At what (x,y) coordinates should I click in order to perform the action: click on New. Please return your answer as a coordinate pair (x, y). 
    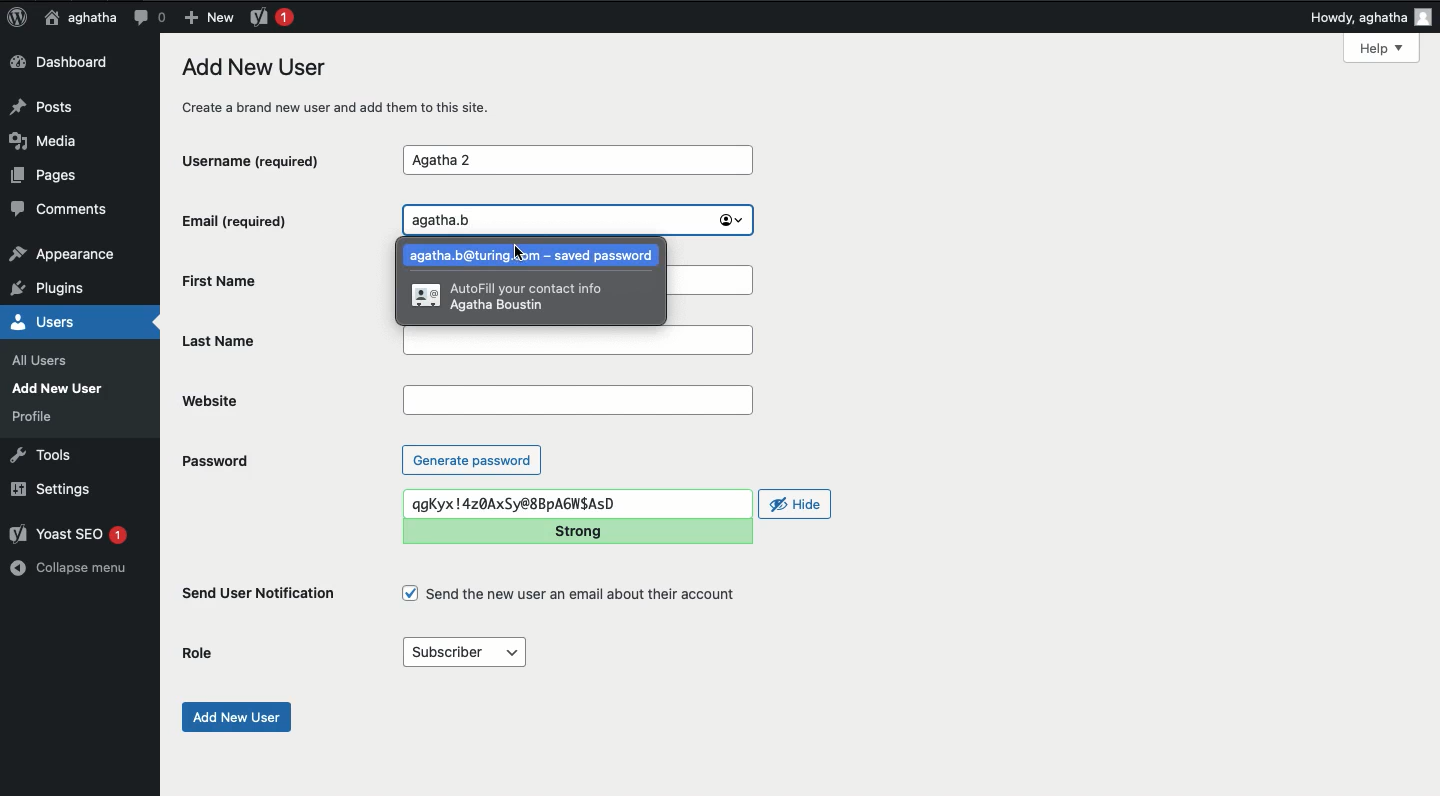
    Looking at the image, I should click on (208, 16).